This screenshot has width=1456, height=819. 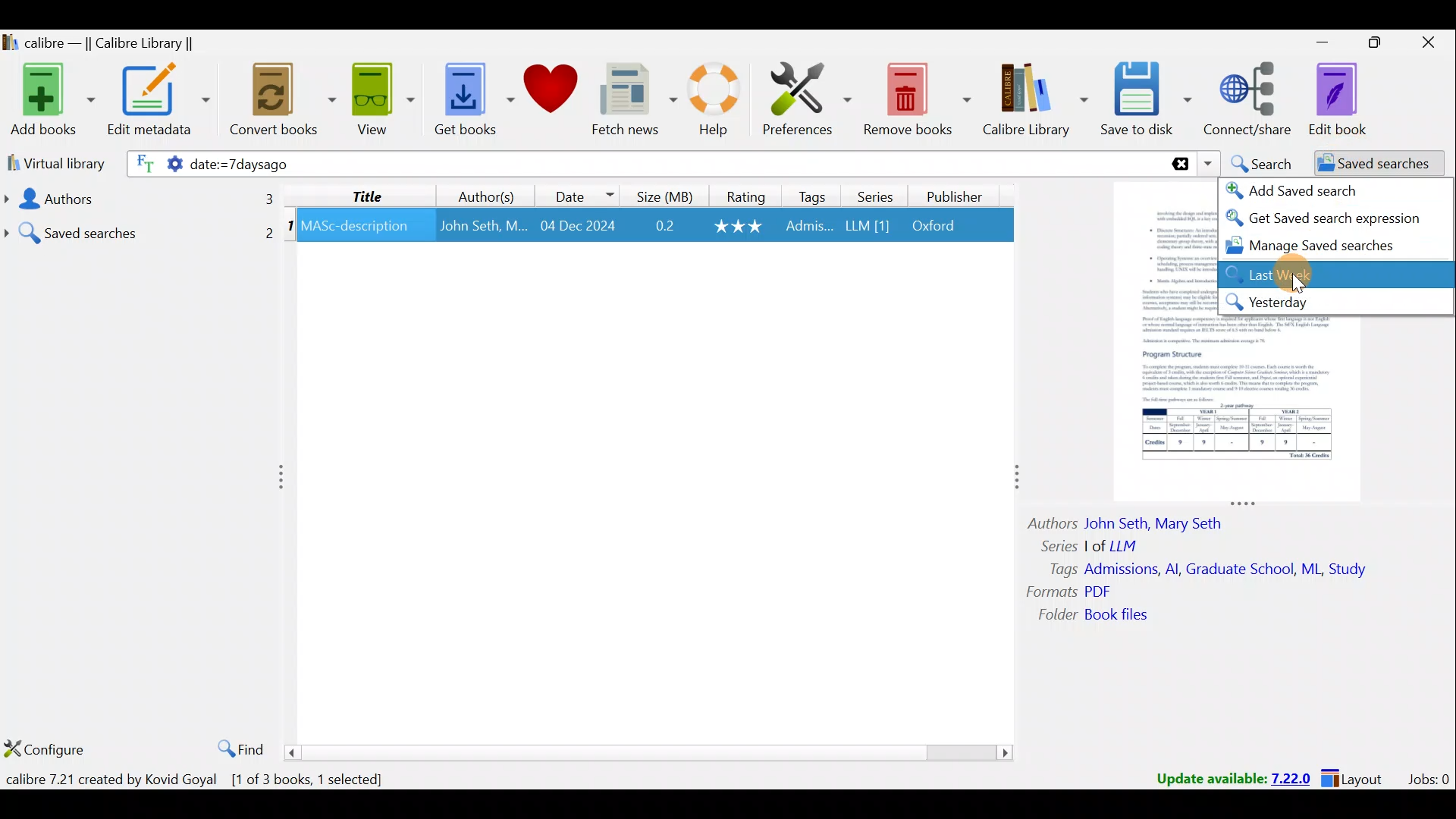 What do you see at coordinates (1326, 218) in the screenshot?
I see `‘Get Saved search expression` at bounding box center [1326, 218].